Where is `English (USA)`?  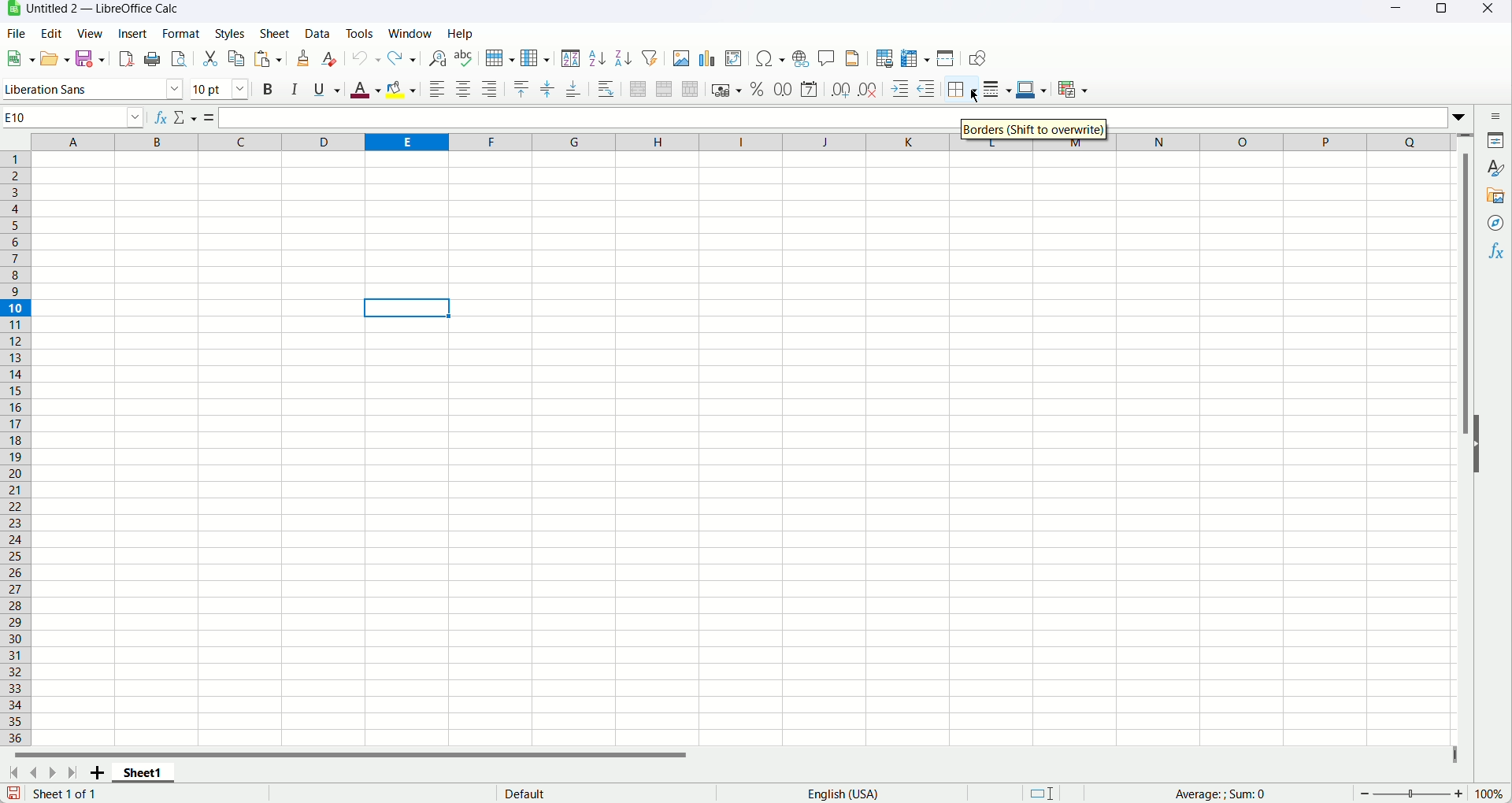 English (USA) is located at coordinates (851, 794).